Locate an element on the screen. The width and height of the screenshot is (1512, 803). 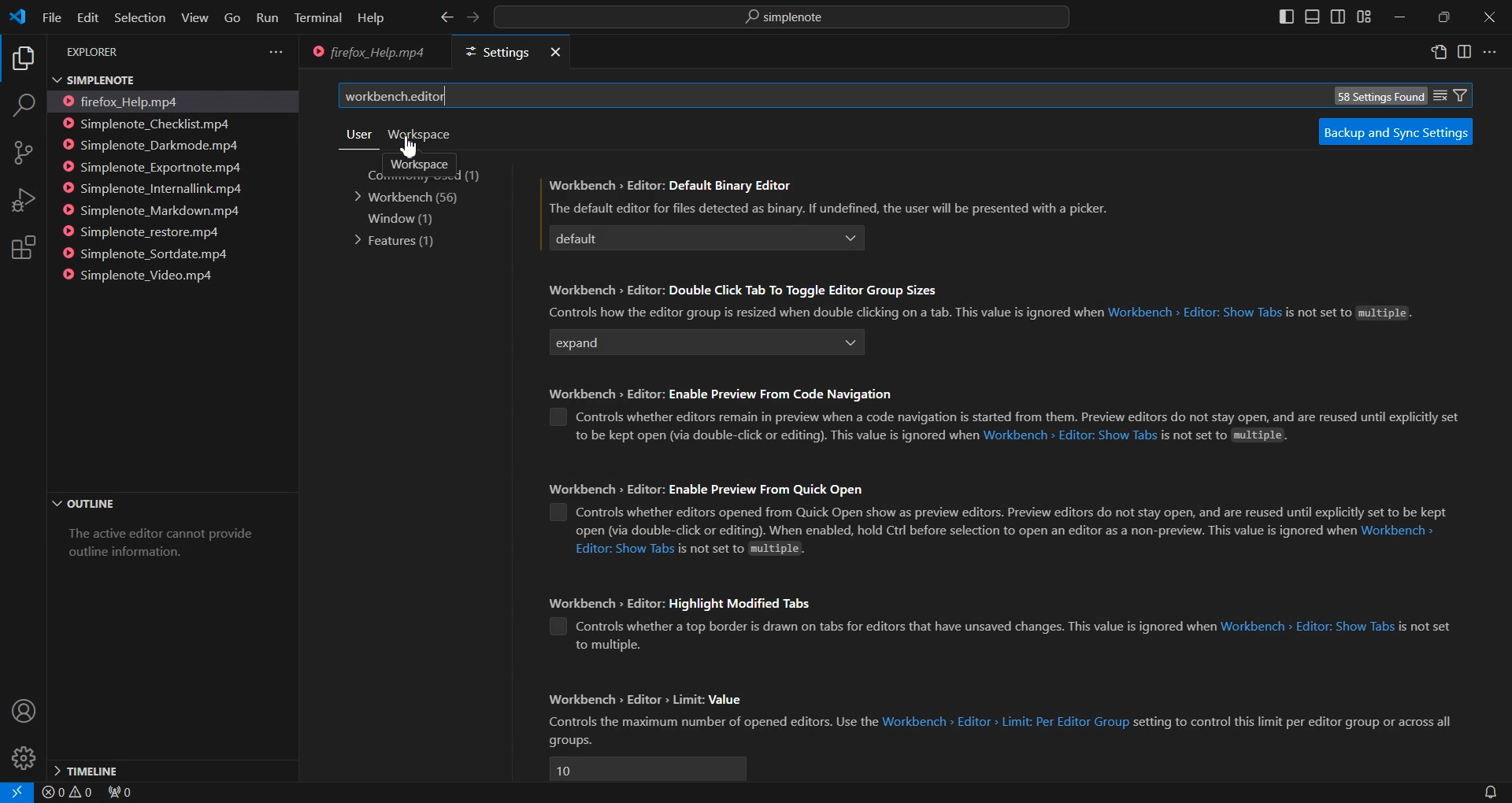
is not to set multiple is located at coordinates (1349, 316).